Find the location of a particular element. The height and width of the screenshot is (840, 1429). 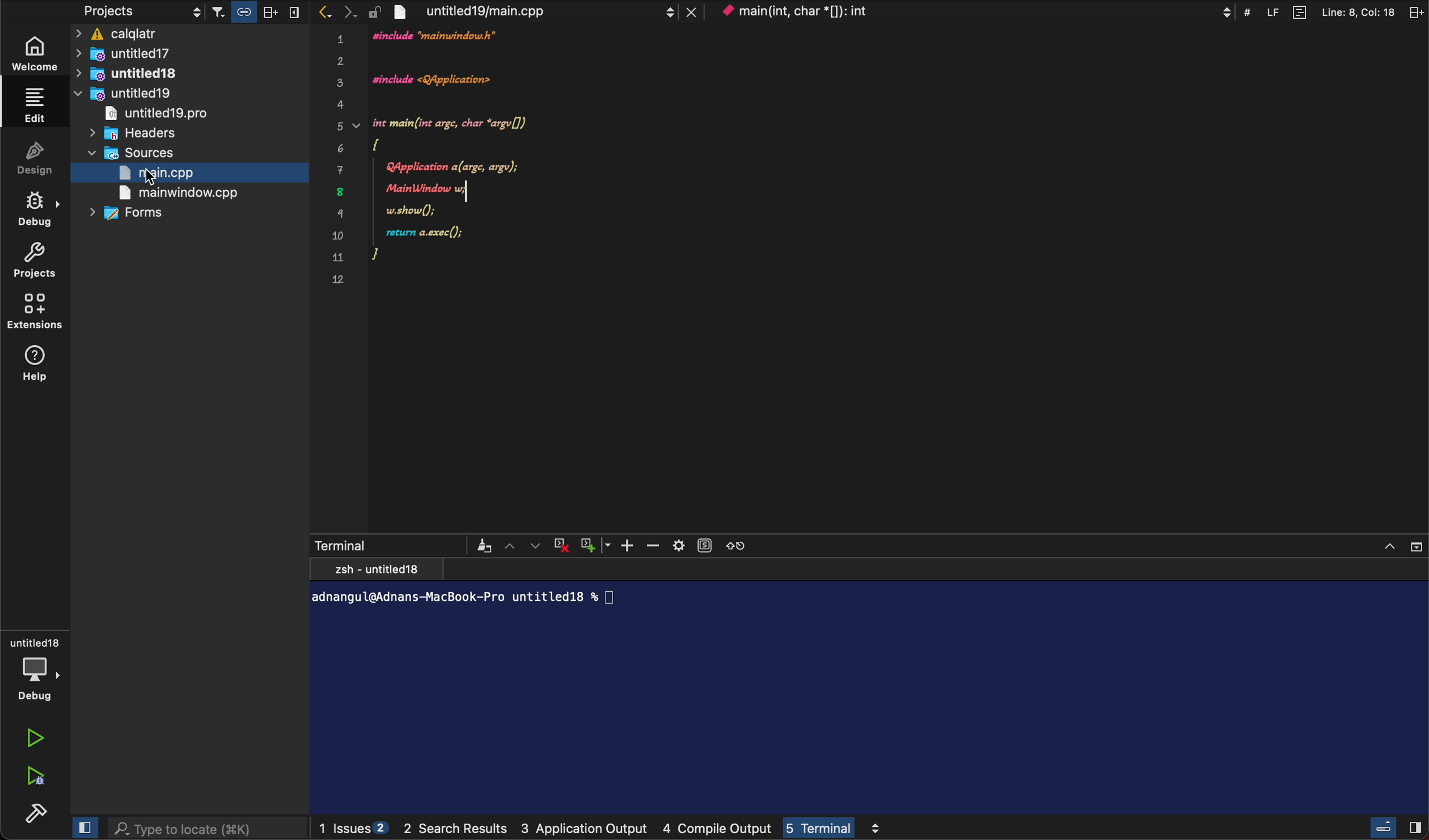

Close Terminal is located at coordinates (561, 545).